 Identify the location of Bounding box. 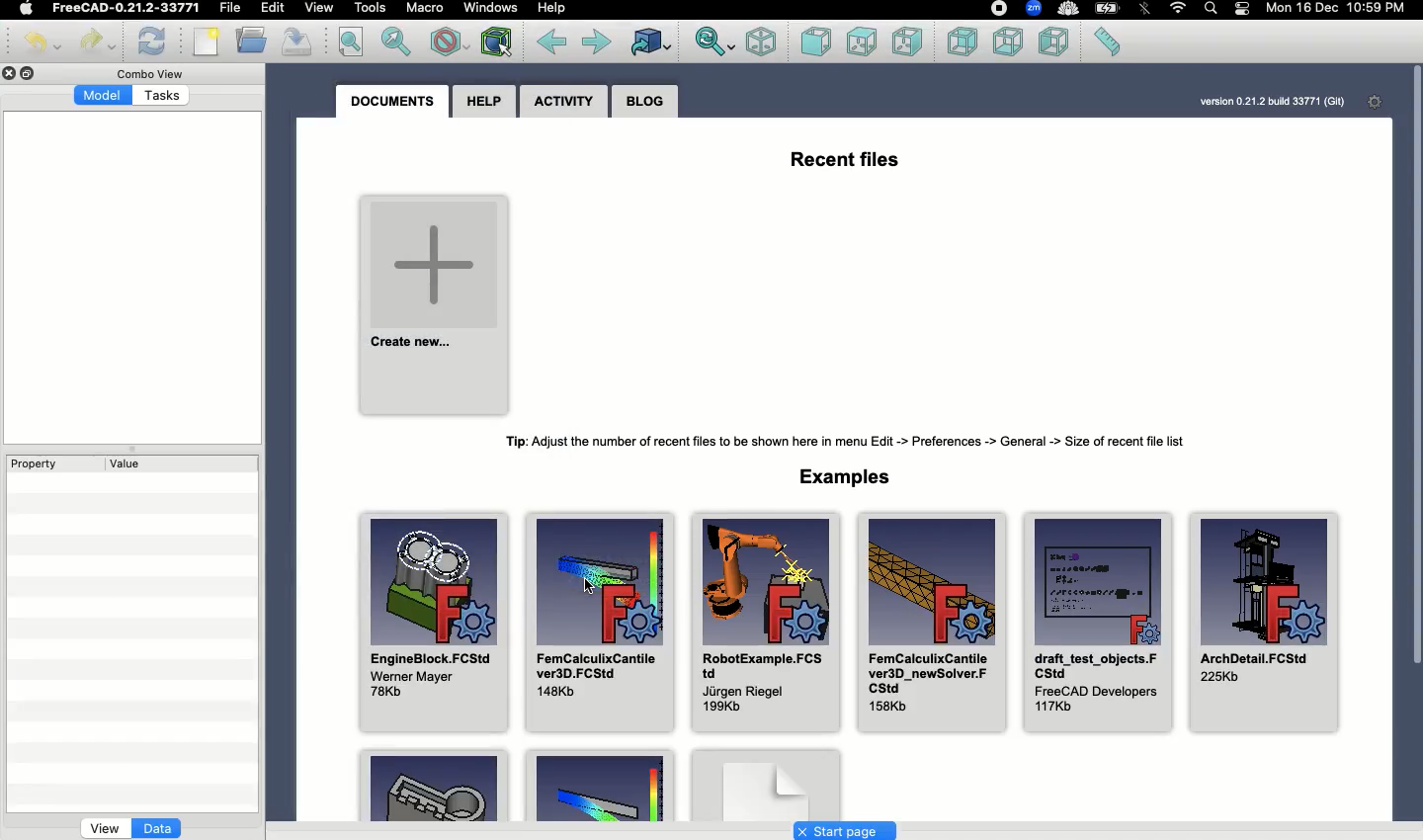
(493, 45).